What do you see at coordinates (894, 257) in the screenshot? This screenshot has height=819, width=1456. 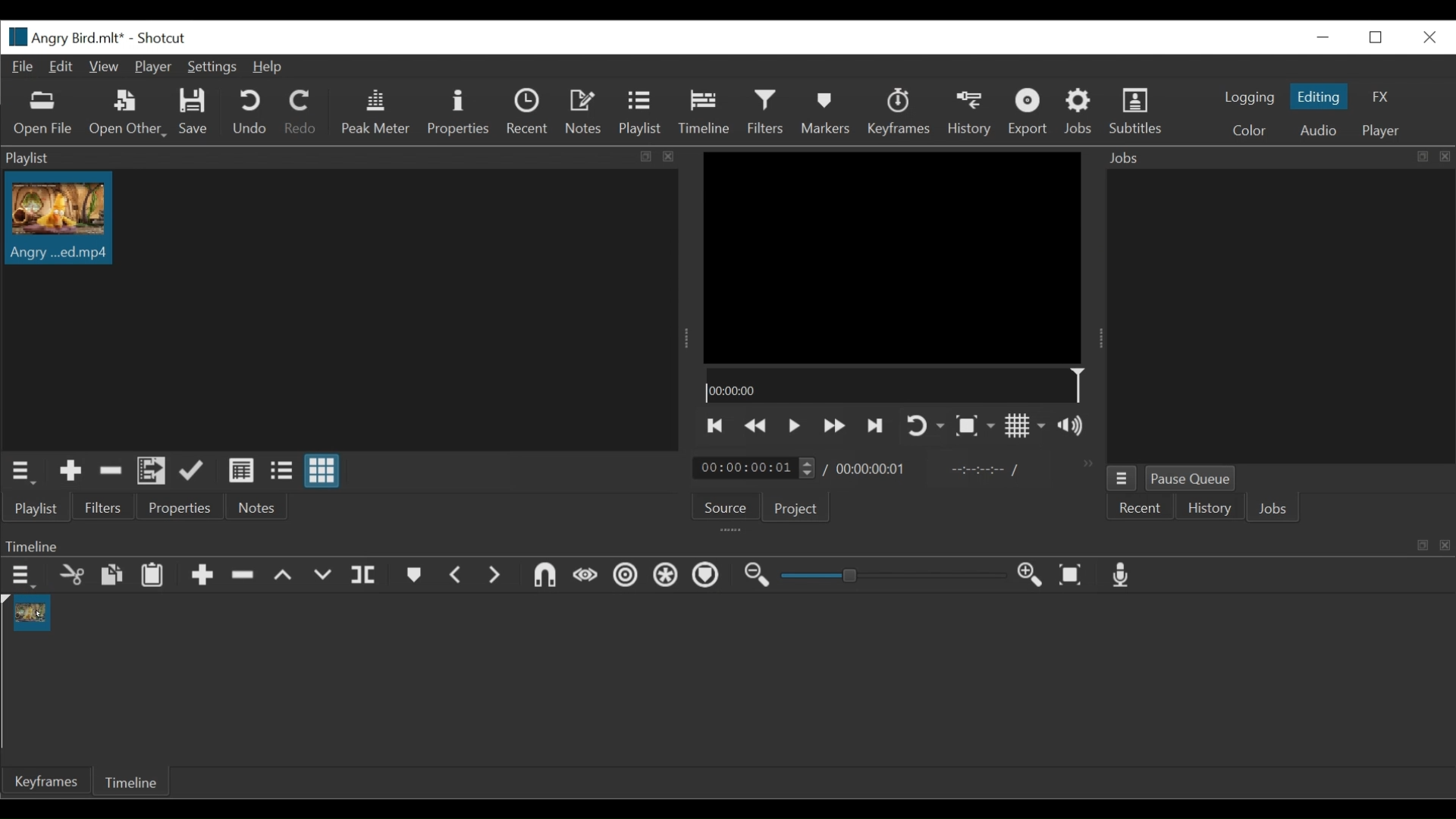 I see `Media Viewer` at bounding box center [894, 257].